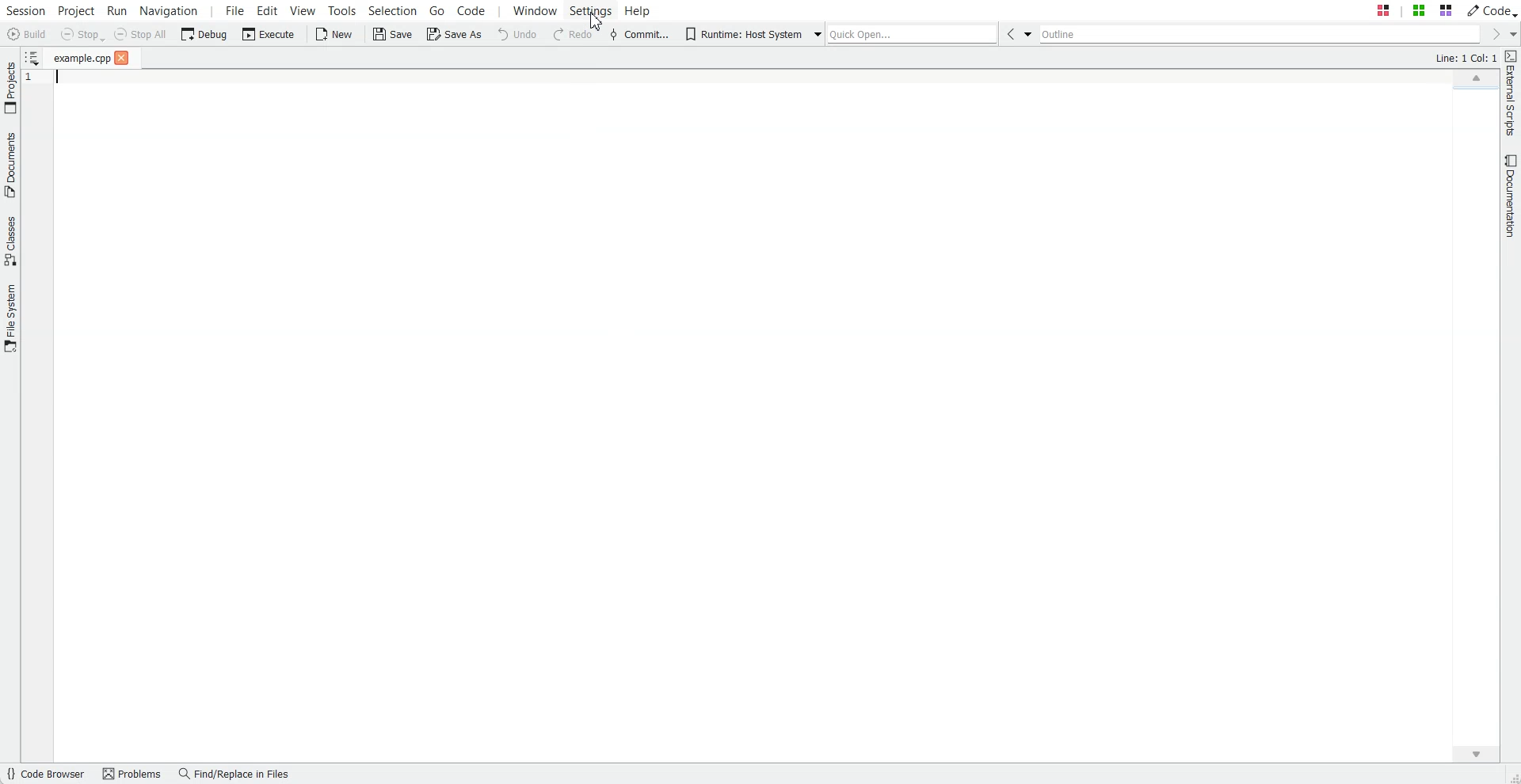  What do you see at coordinates (595, 21) in the screenshot?
I see `Cursor` at bounding box center [595, 21].